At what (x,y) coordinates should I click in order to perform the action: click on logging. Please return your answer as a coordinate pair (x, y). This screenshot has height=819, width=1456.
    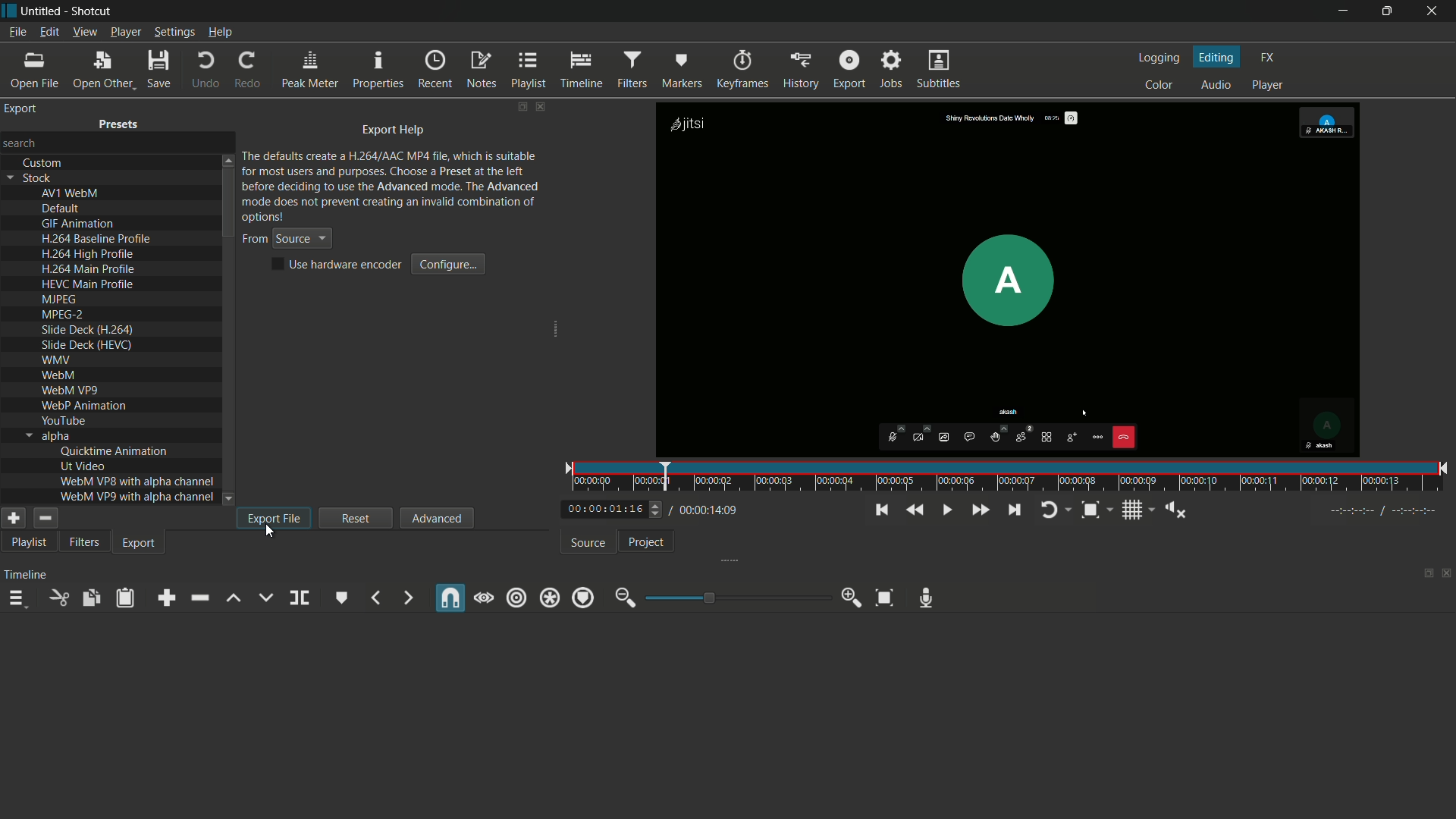
    Looking at the image, I should click on (1159, 58).